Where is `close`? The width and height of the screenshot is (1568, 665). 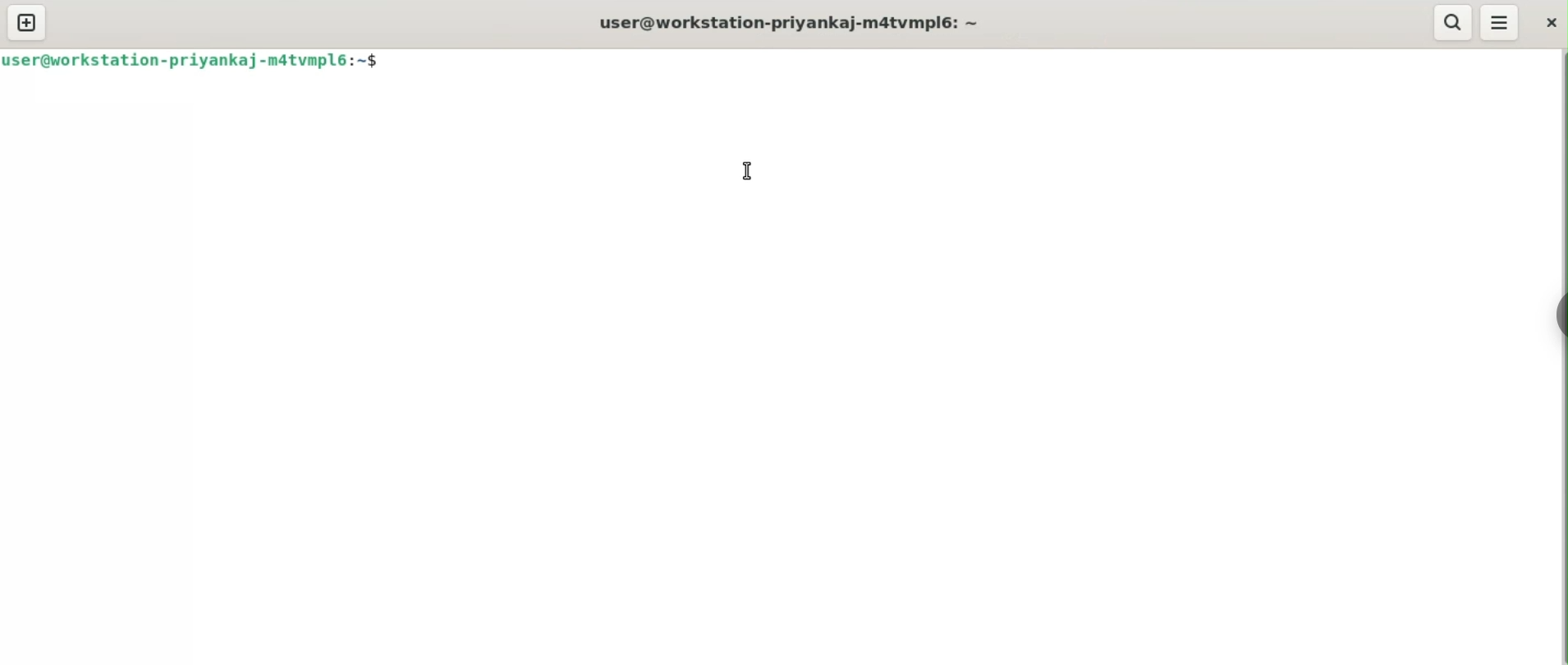
close is located at coordinates (1550, 21).